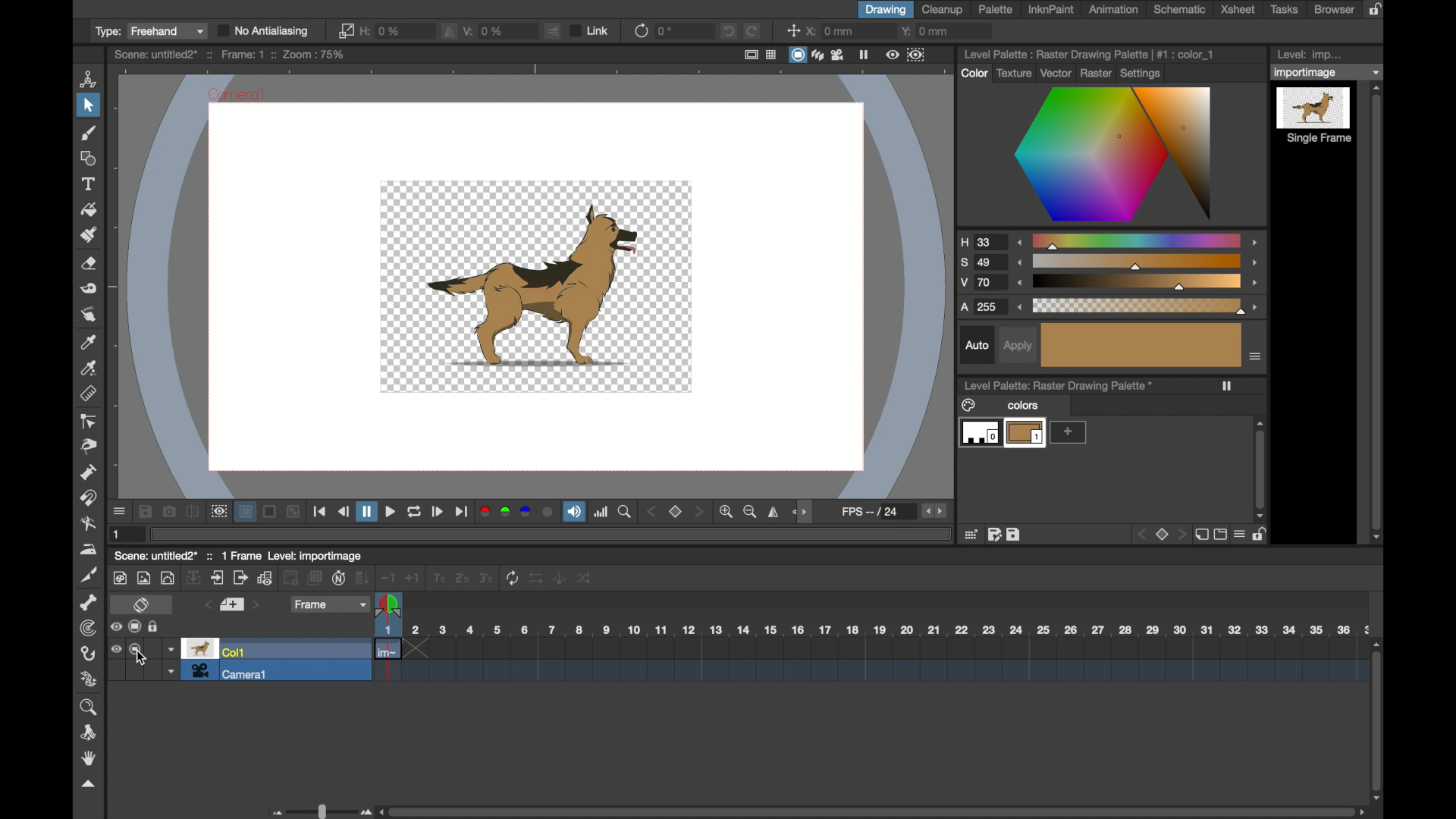 The image size is (1456, 819). Describe the element at coordinates (87, 394) in the screenshot. I see `ruler tool` at that location.